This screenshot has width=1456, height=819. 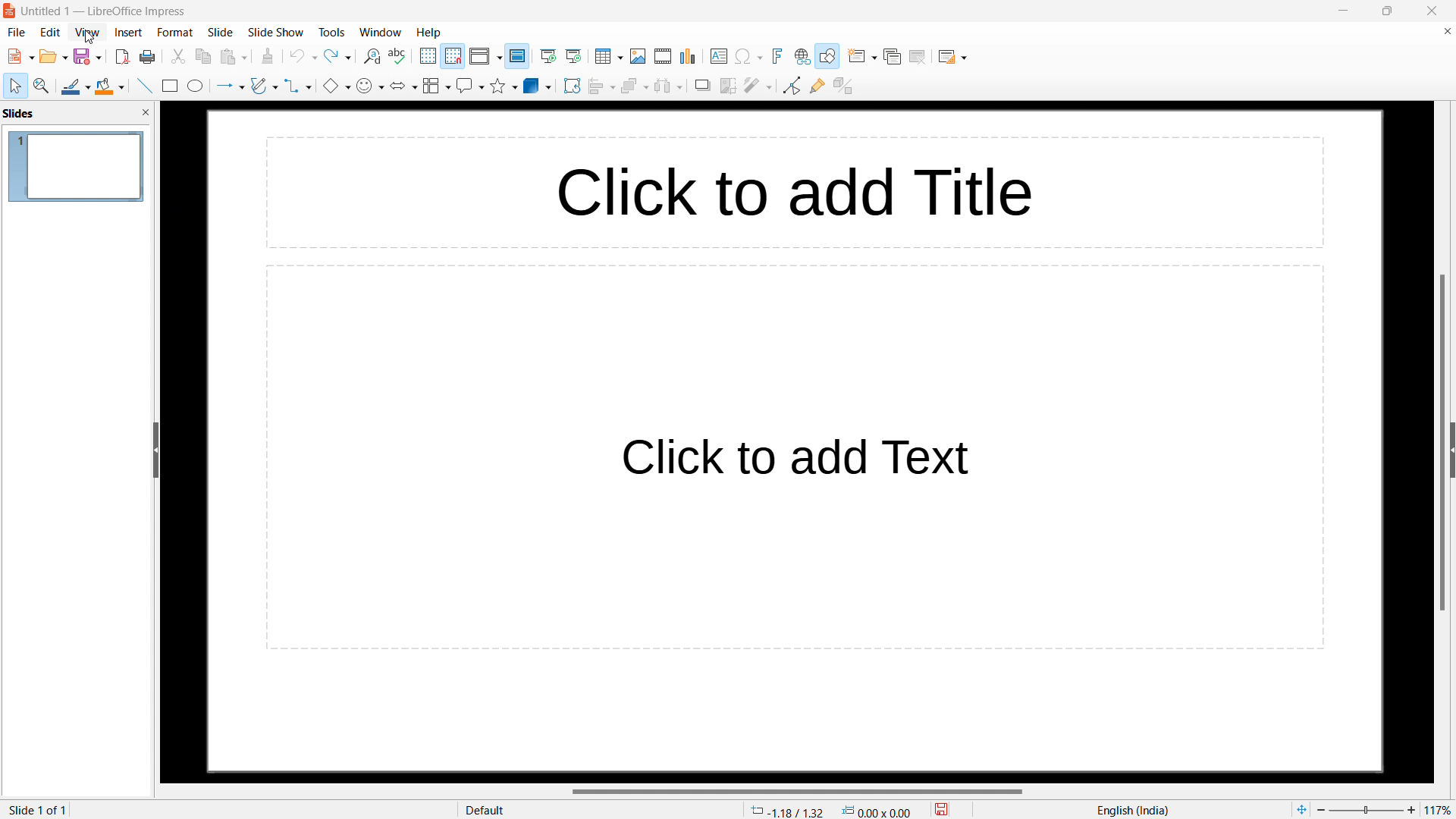 I want to click on vertical scrollbar, so click(x=1440, y=443).